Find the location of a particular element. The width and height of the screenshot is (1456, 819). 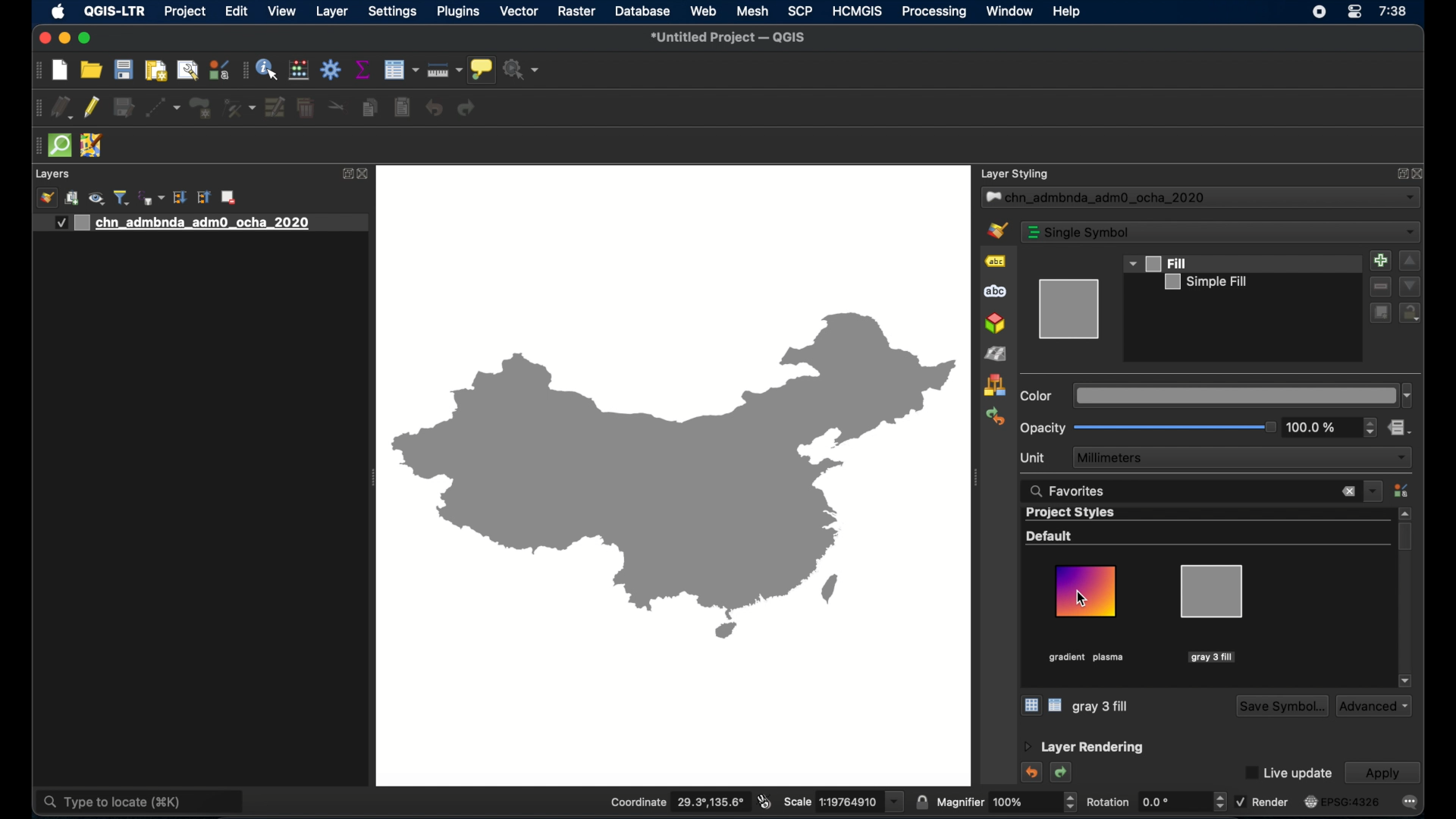

list view is located at coordinates (1056, 705).